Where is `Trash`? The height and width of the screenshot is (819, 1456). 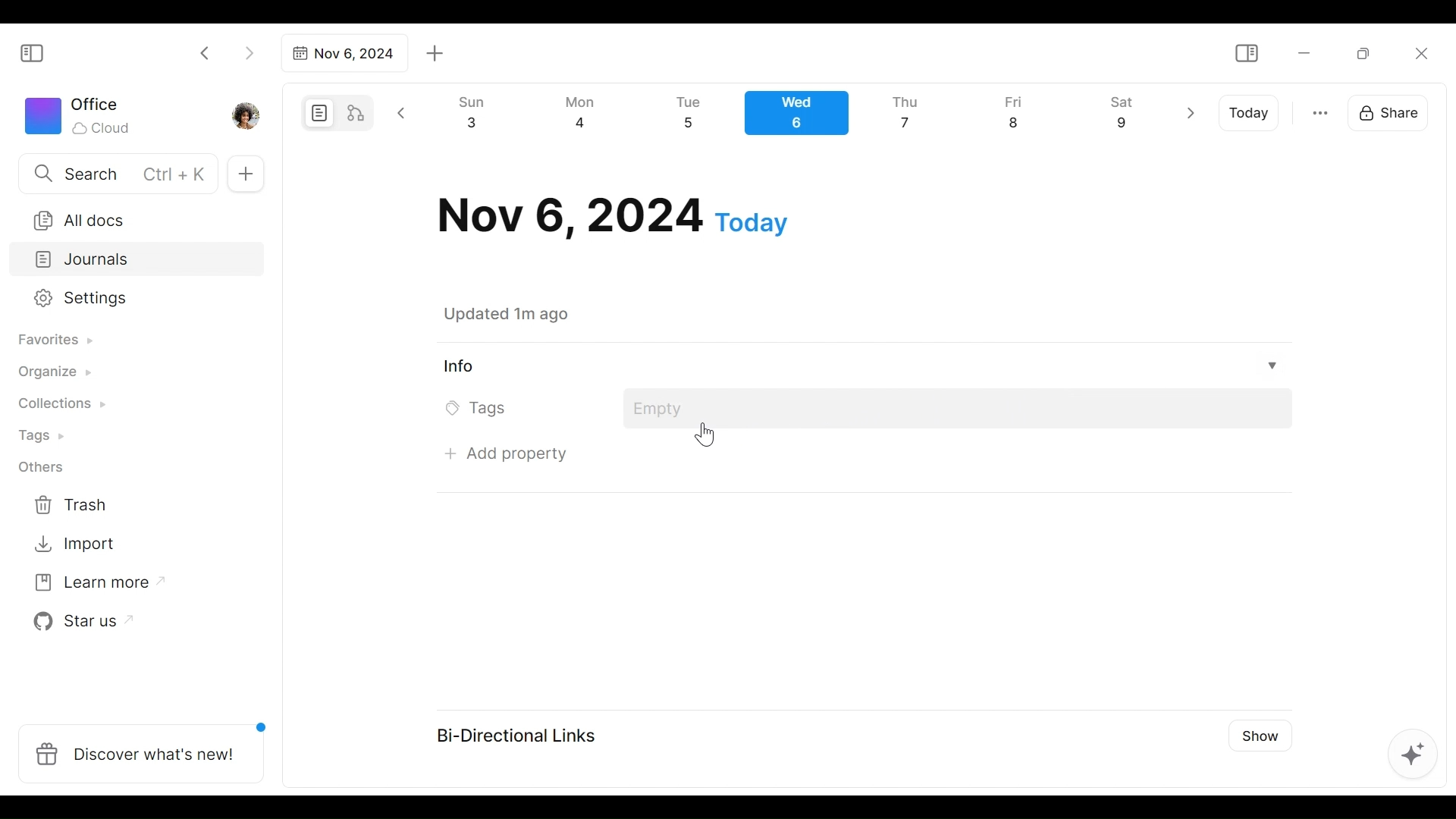
Trash is located at coordinates (72, 505).